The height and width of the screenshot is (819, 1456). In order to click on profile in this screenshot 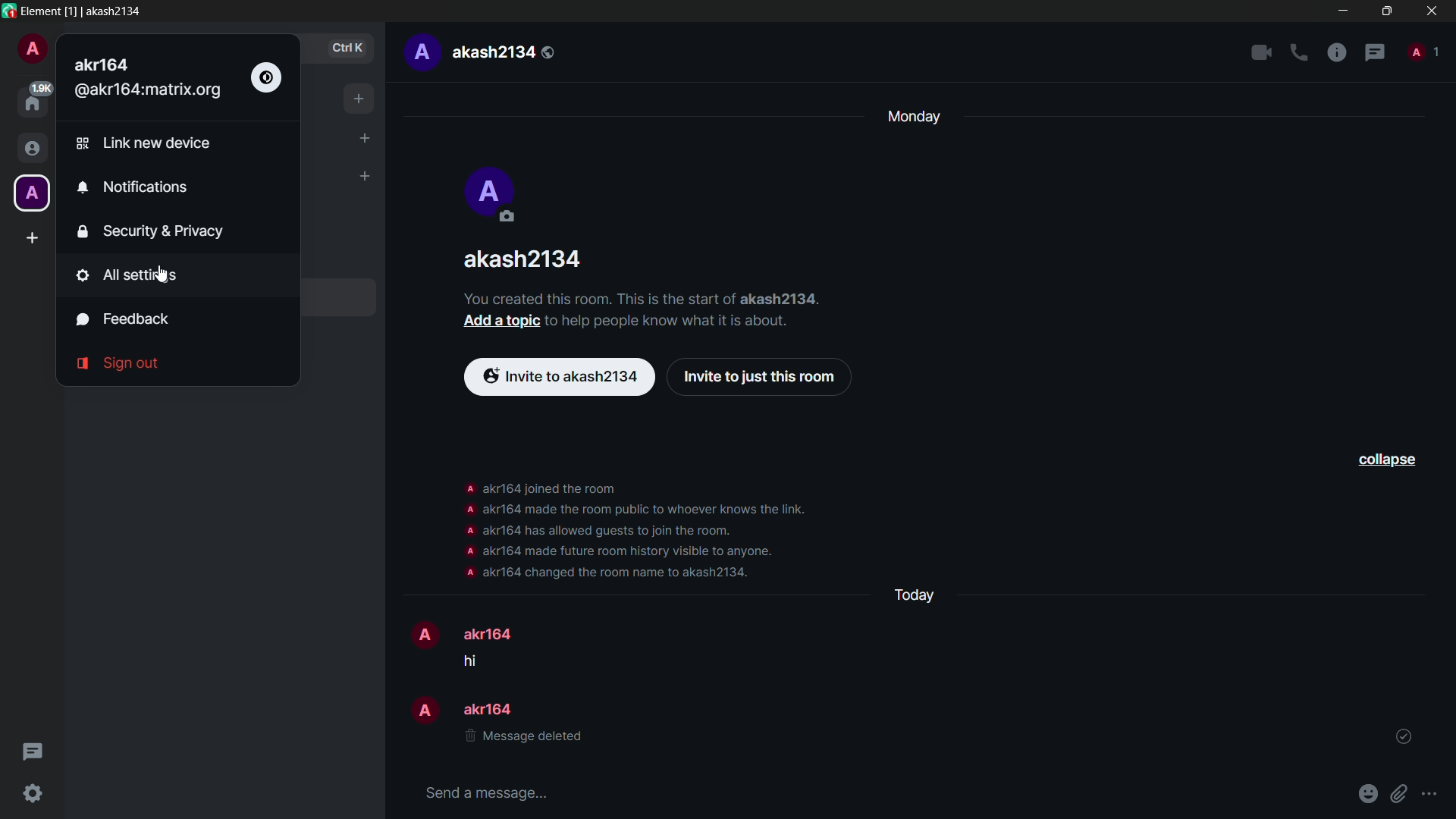, I will do `click(420, 52)`.